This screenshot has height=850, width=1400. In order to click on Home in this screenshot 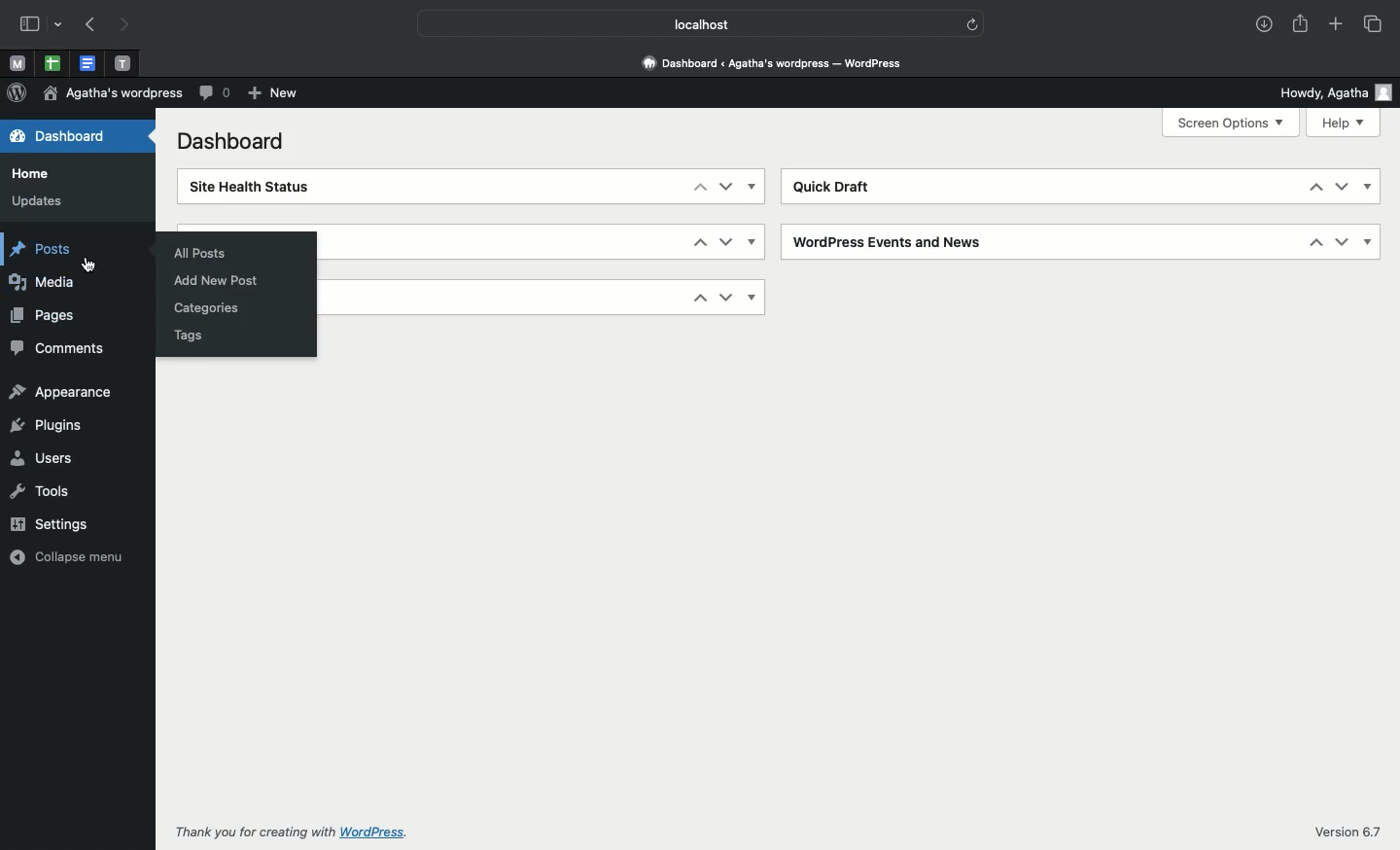, I will do `click(35, 174)`.